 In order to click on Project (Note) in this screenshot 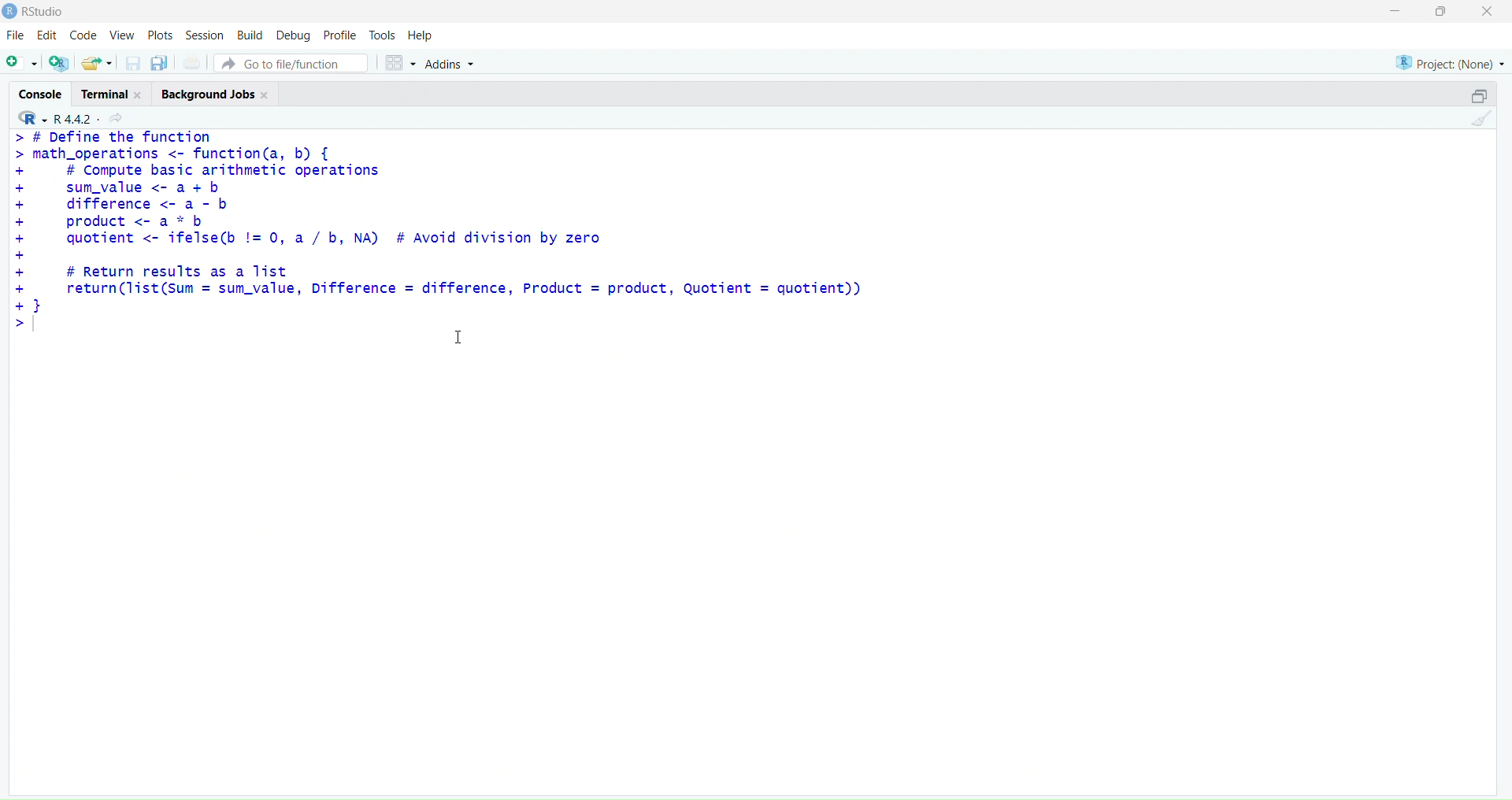, I will do `click(1449, 61)`.